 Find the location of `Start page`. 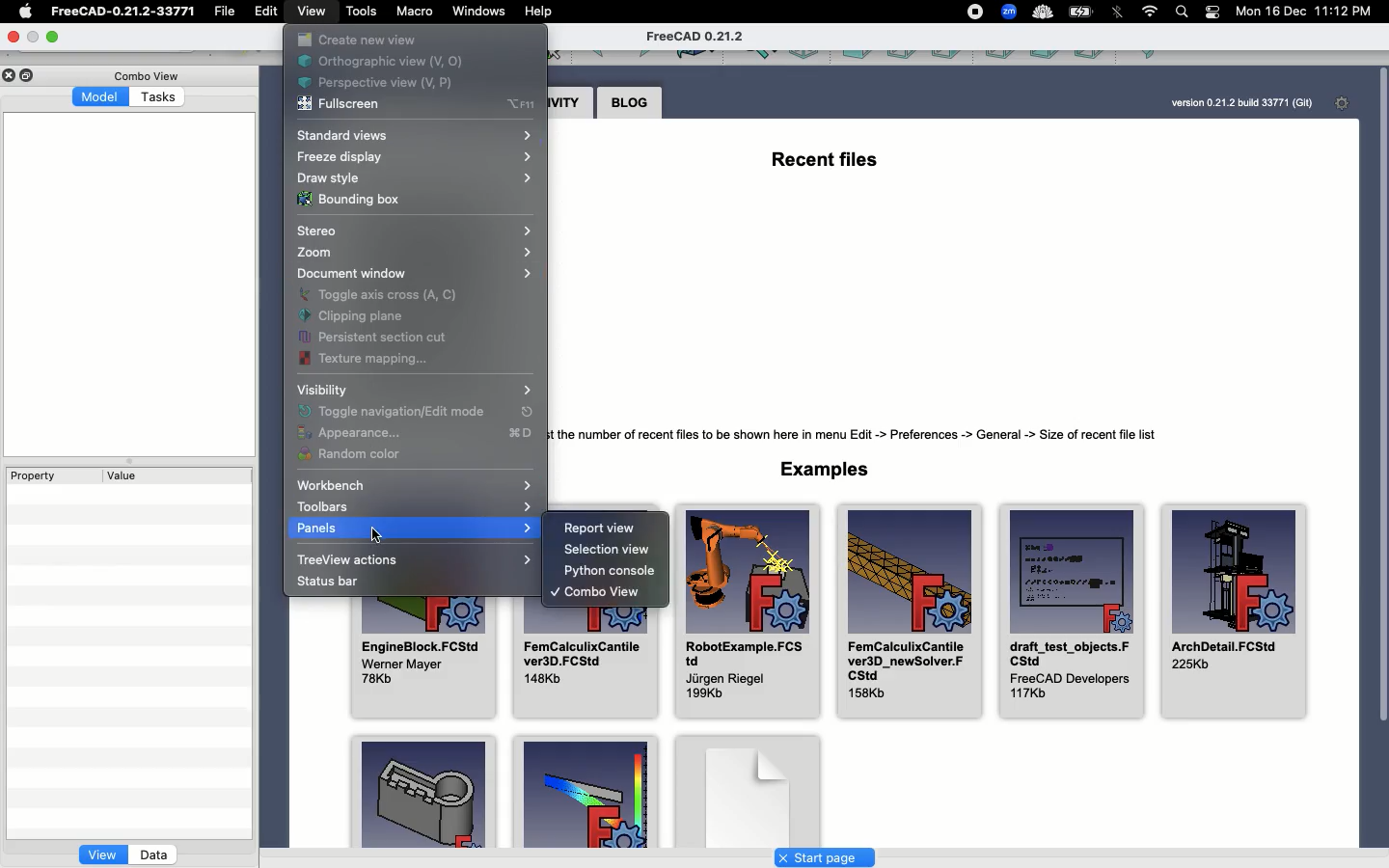

Start page is located at coordinates (825, 856).